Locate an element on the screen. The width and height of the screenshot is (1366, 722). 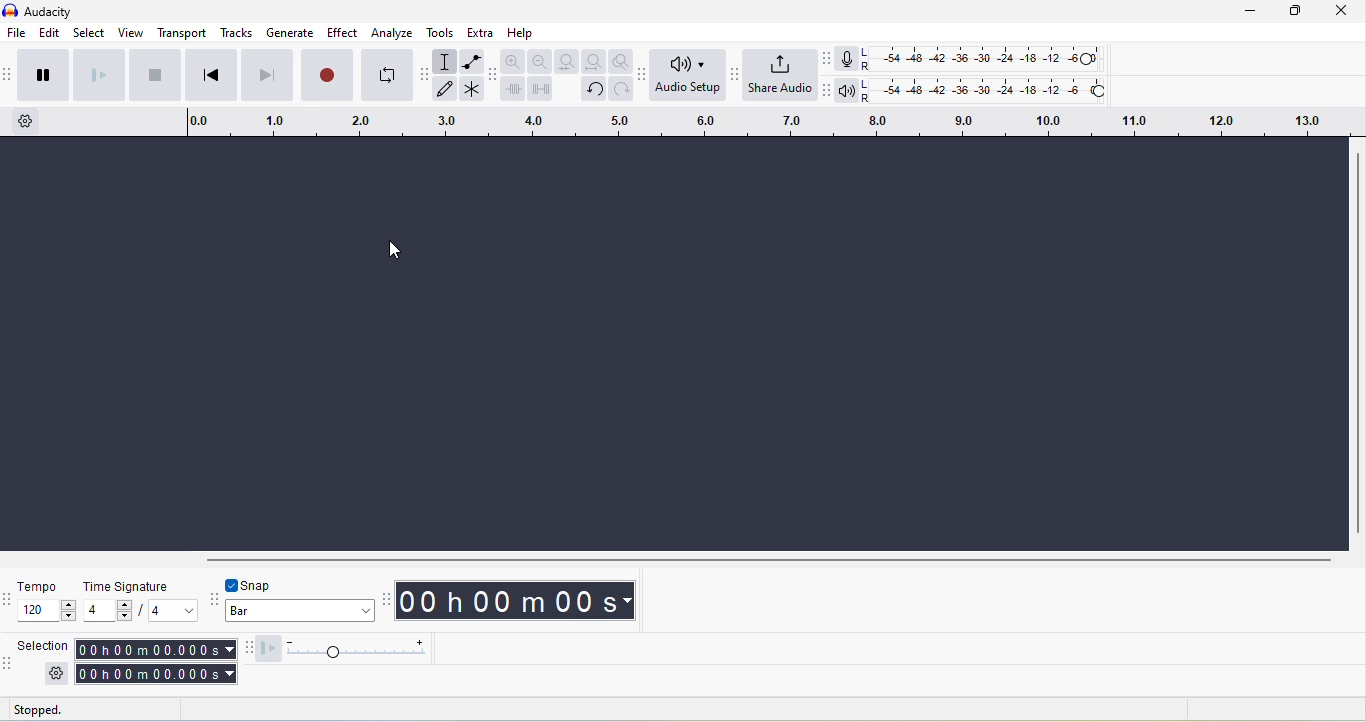
bar is located at coordinates (307, 613).